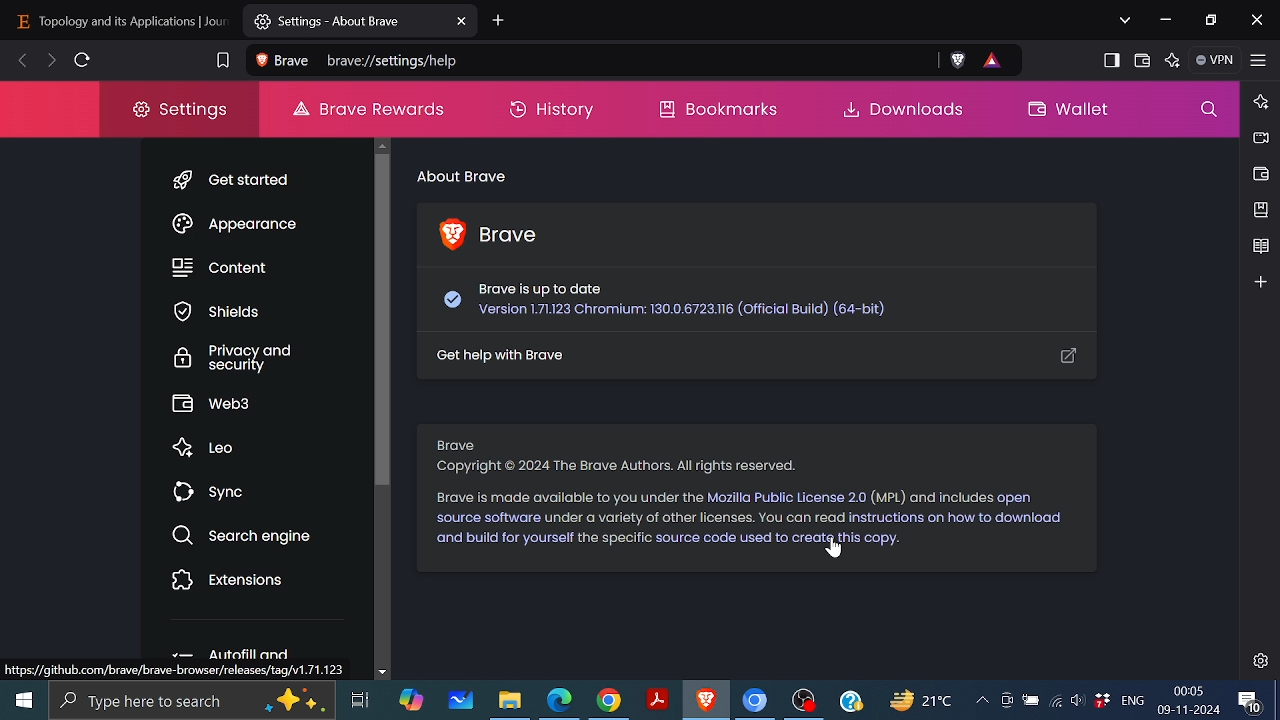 The height and width of the screenshot is (720, 1280). Describe the element at coordinates (990, 60) in the screenshot. I see `Brave Rewards` at that location.